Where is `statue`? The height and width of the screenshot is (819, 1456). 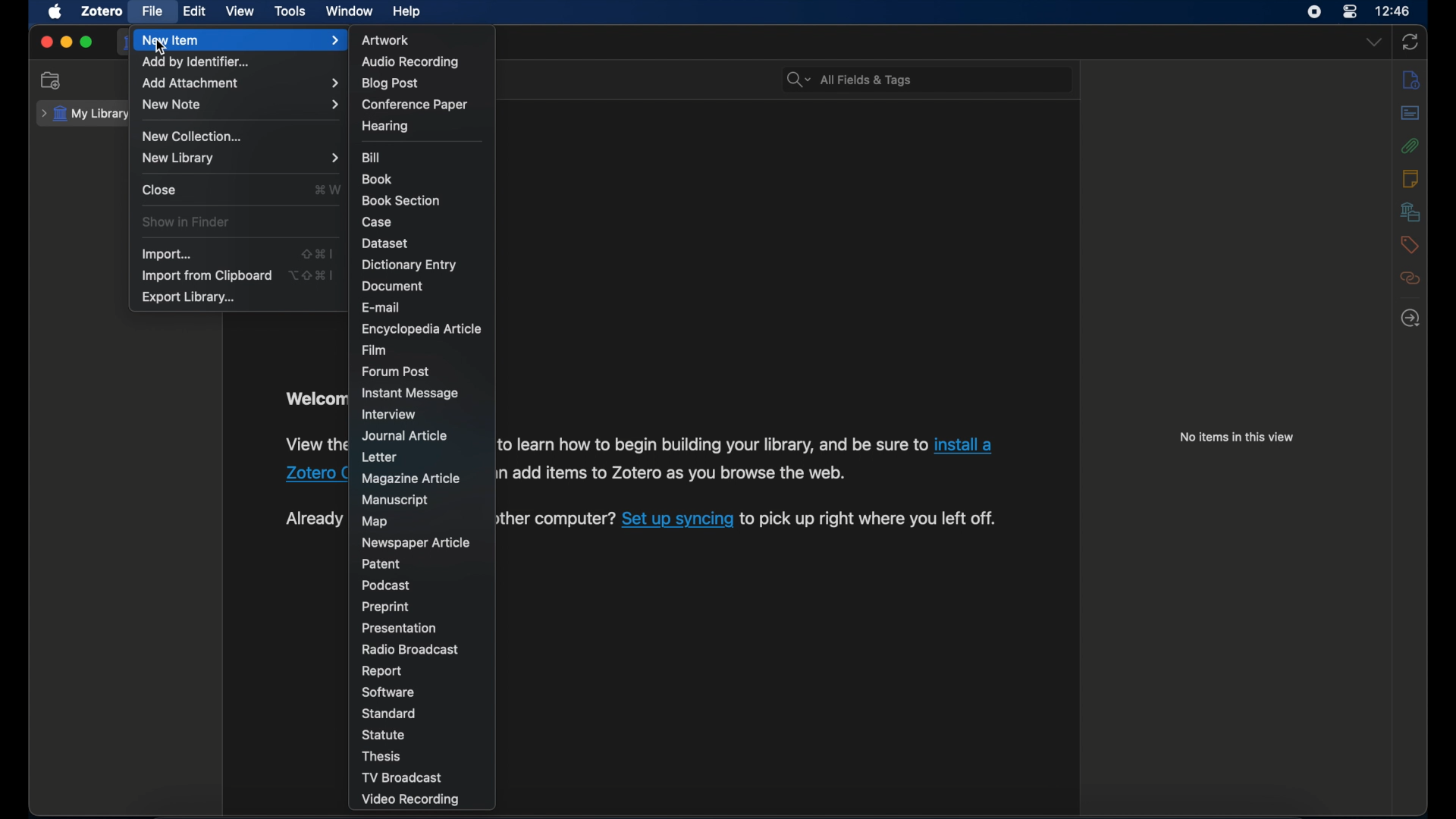 statue is located at coordinates (385, 735).